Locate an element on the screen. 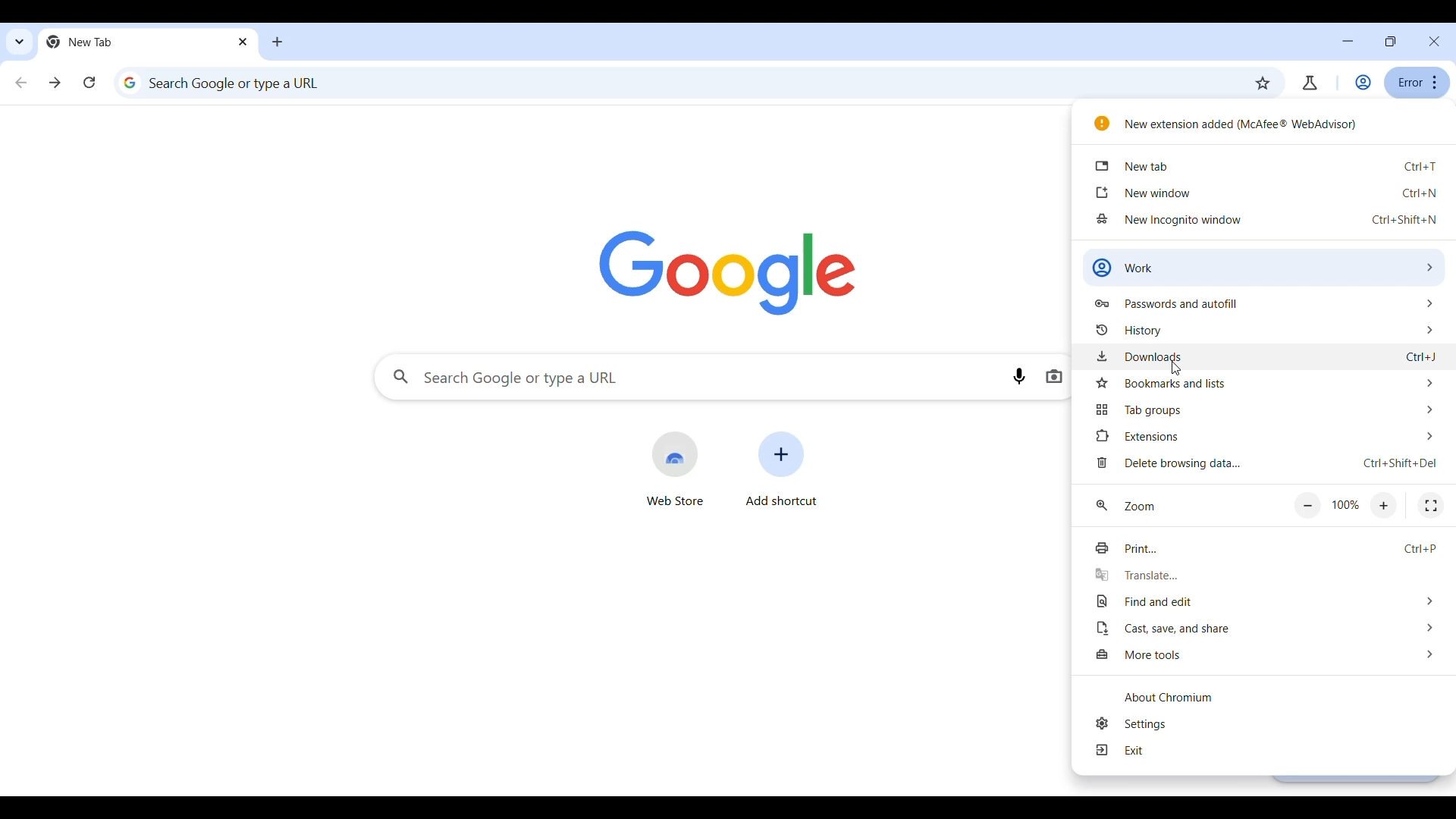  Web store is located at coordinates (675, 469).